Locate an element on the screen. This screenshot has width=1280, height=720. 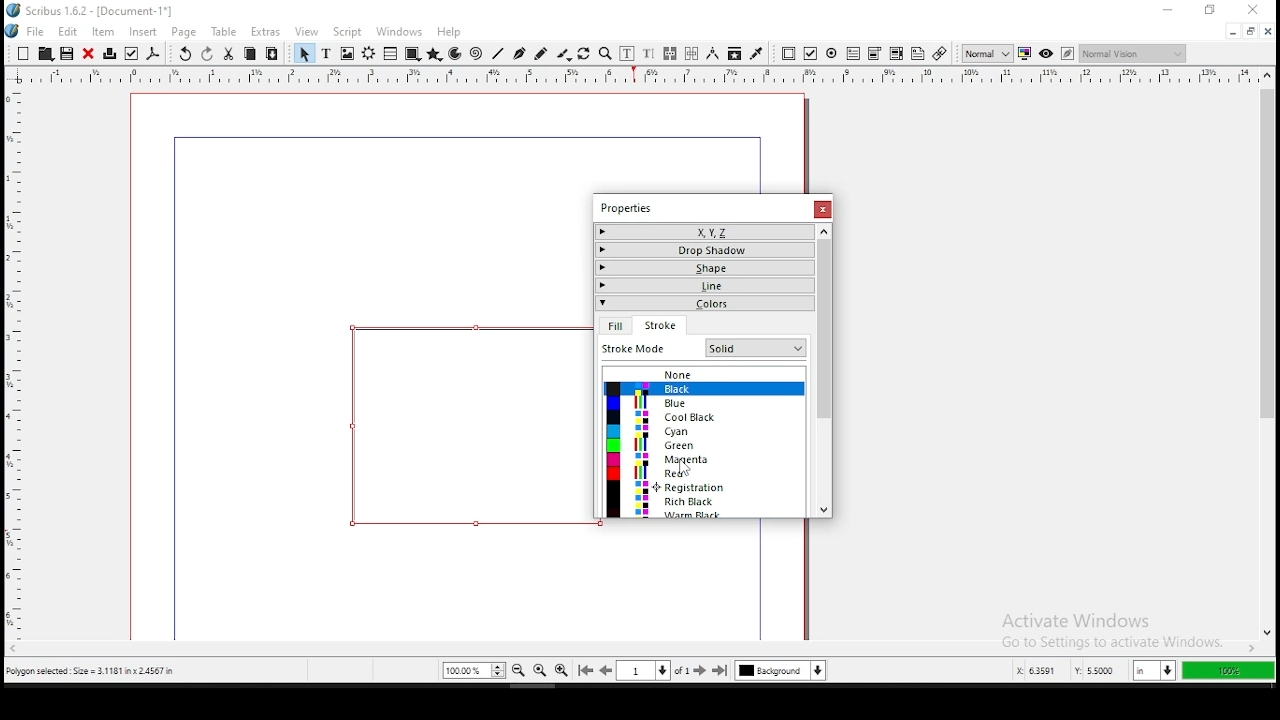
x: 5.2253 is located at coordinates (1031, 671).